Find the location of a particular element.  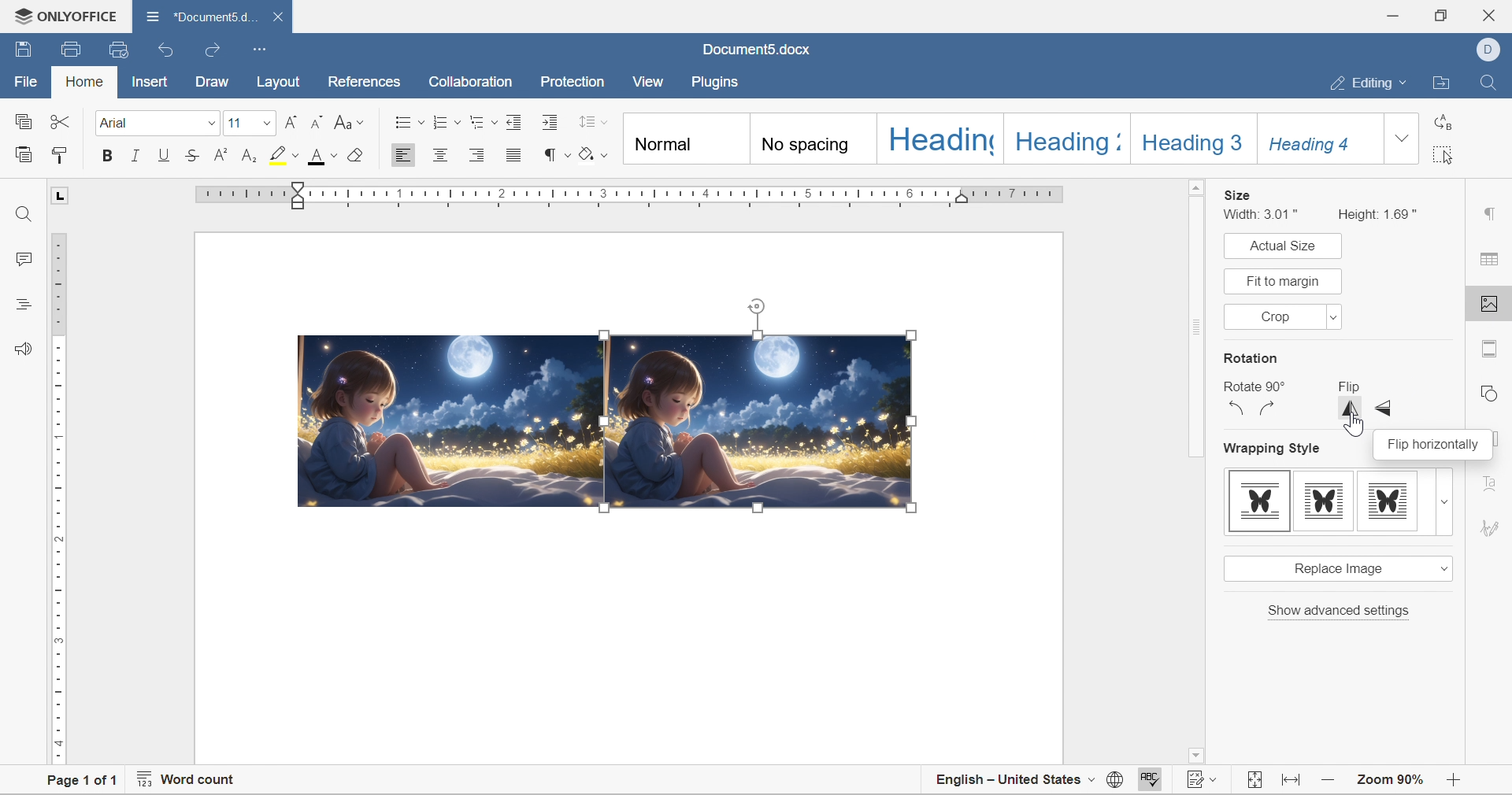

ruler is located at coordinates (634, 197).